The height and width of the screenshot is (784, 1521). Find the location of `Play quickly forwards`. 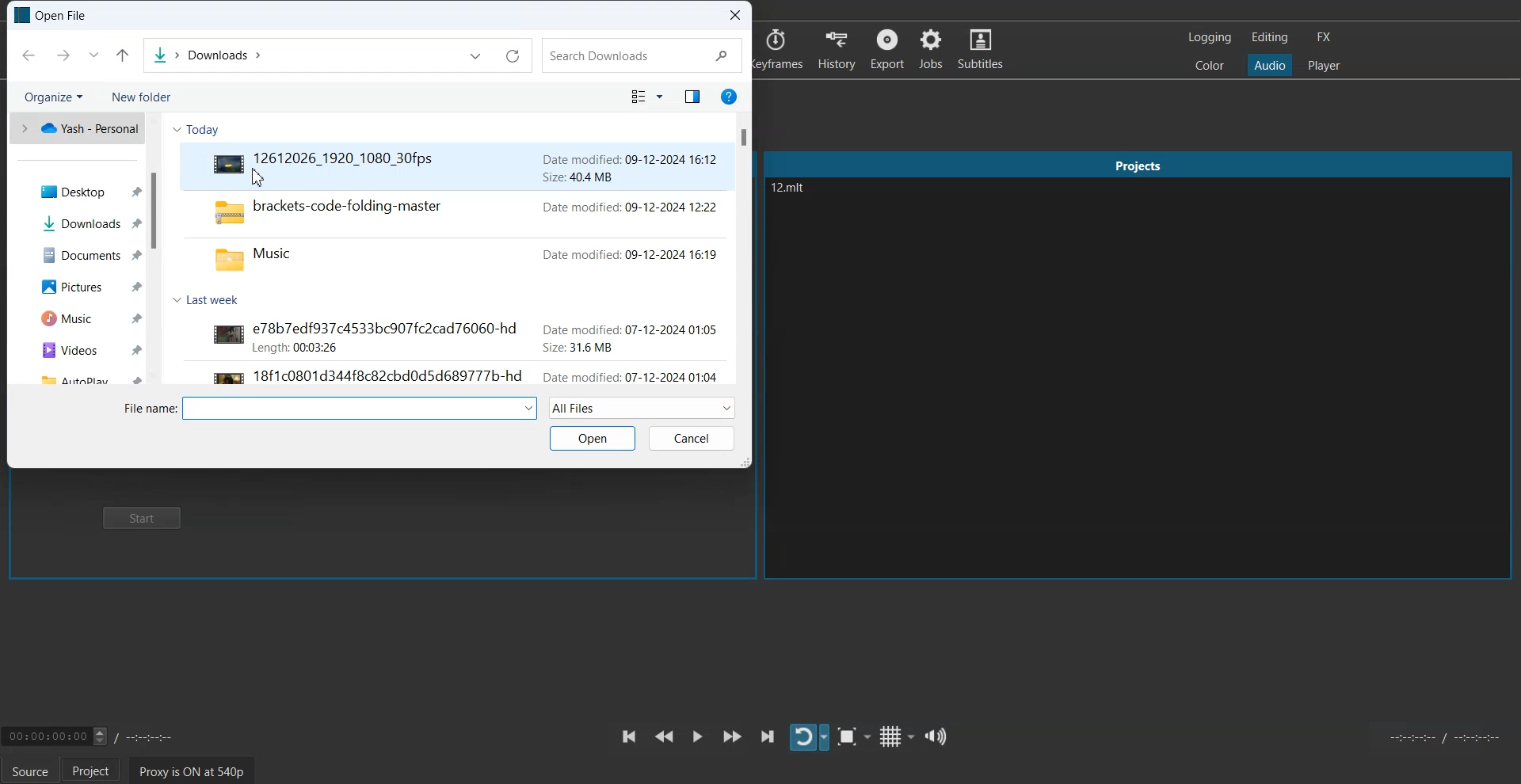

Play quickly forwards is located at coordinates (733, 736).